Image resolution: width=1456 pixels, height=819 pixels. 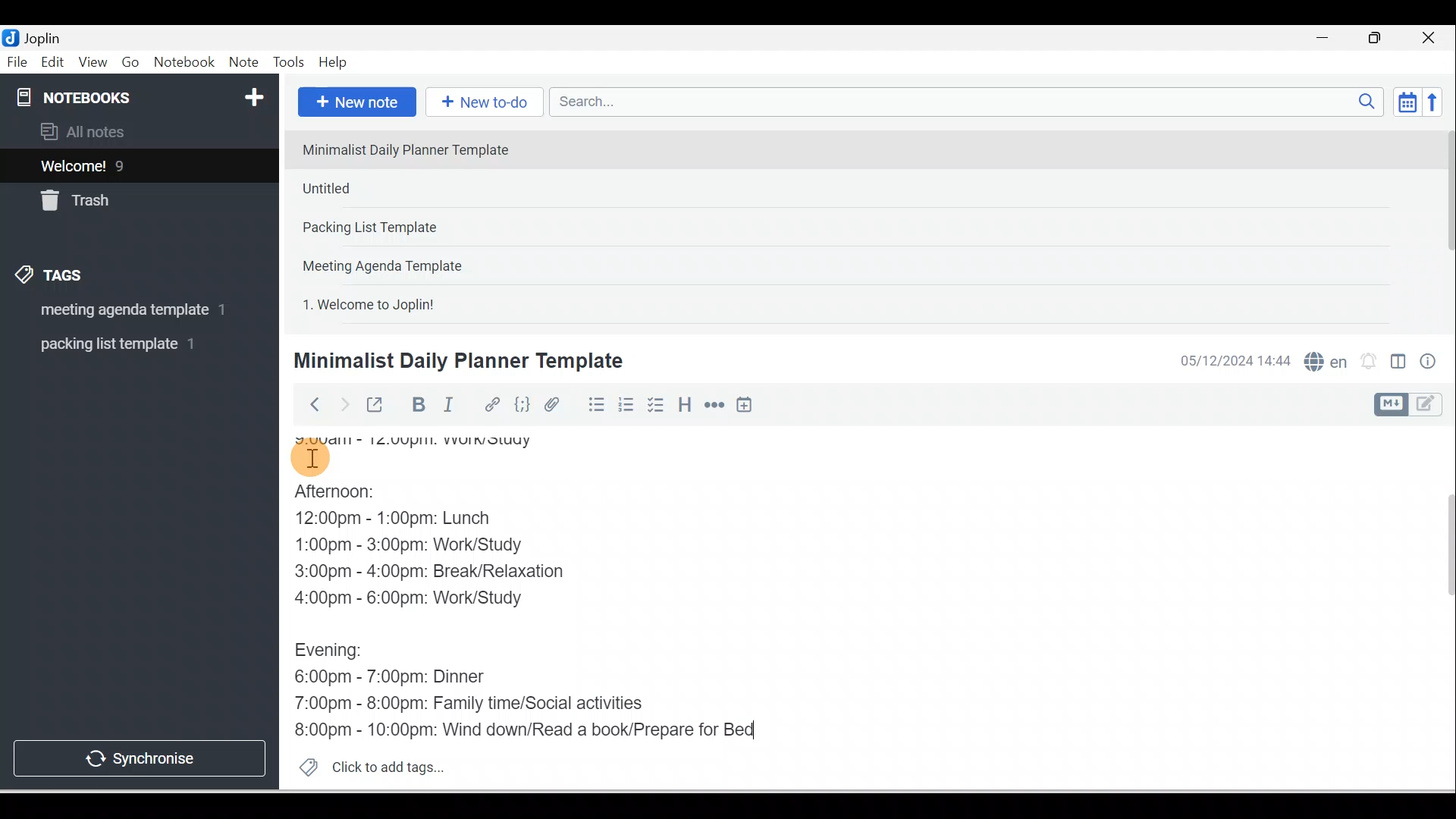 I want to click on Toggle editors, so click(x=1398, y=364).